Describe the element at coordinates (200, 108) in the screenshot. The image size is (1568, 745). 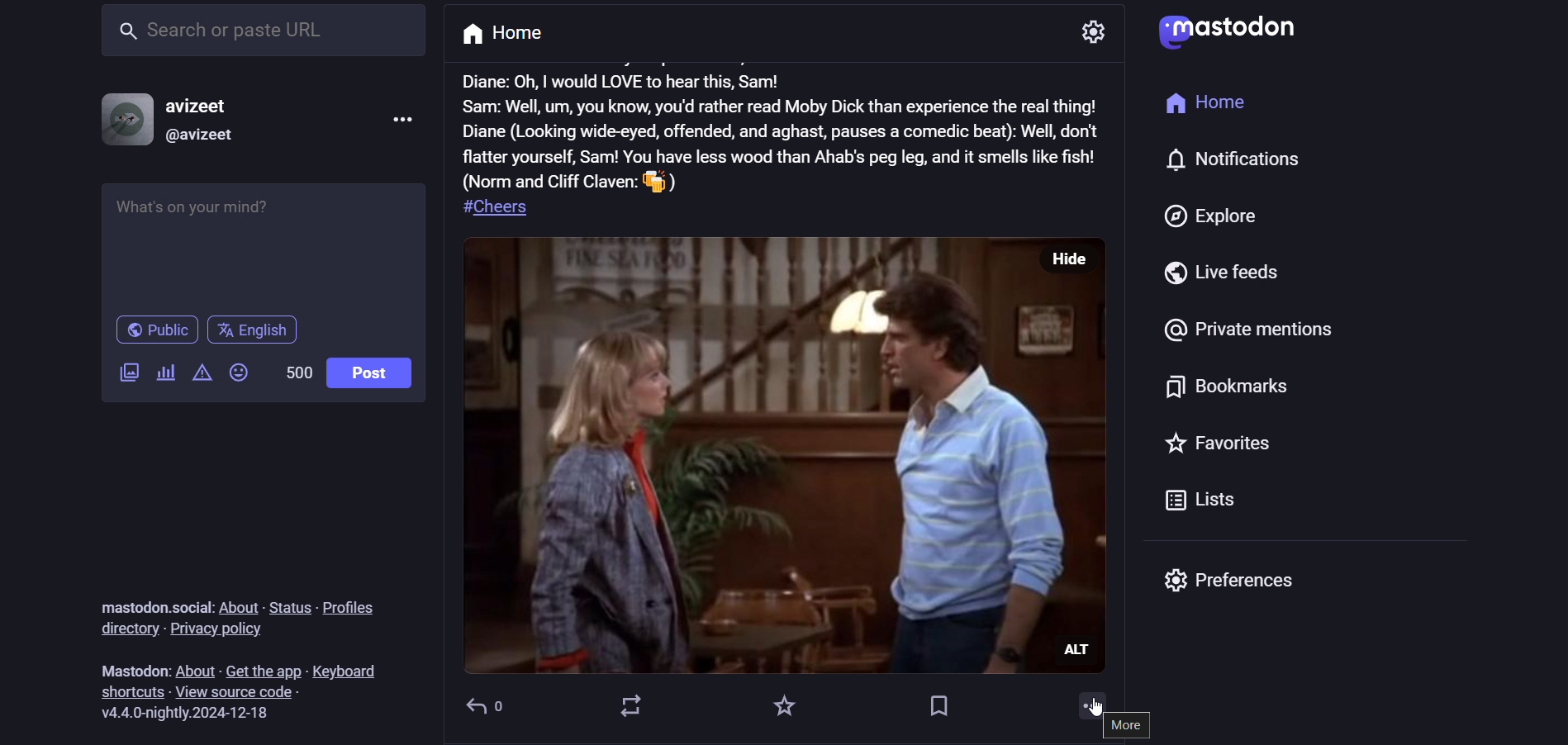
I see `avizeet` at that location.